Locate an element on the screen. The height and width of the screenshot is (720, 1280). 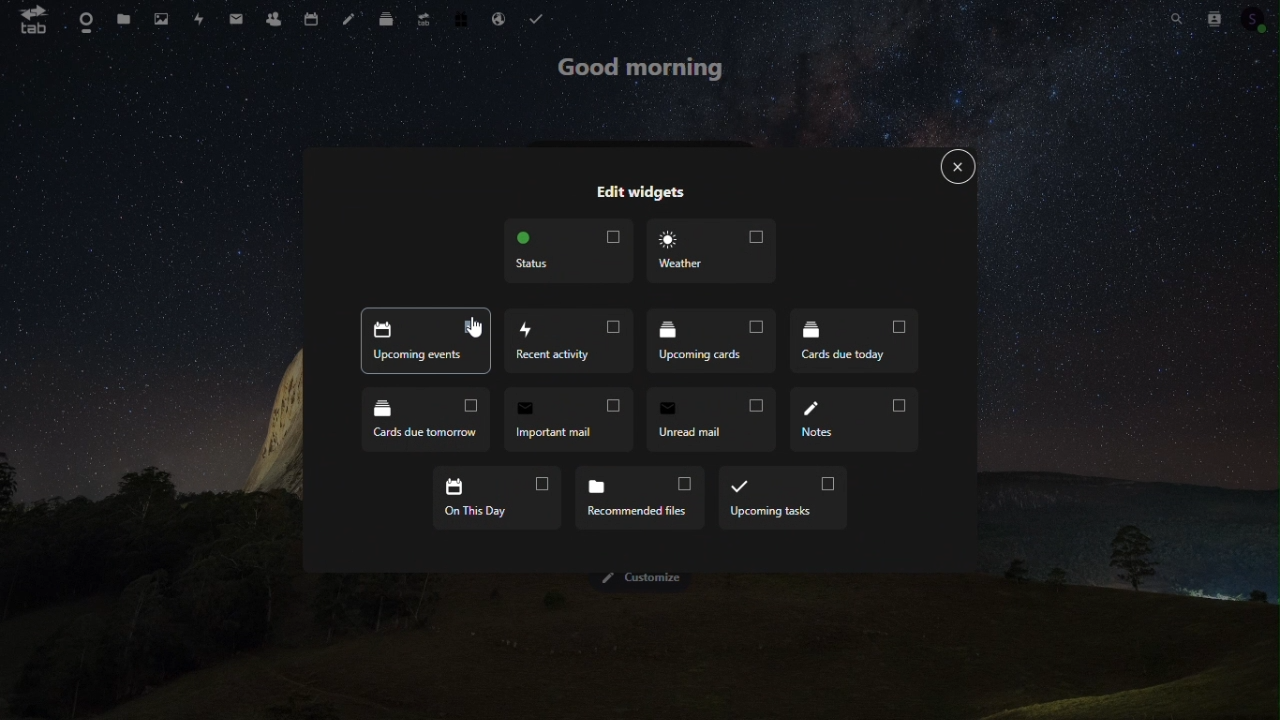
Recent activity is located at coordinates (571, 343).